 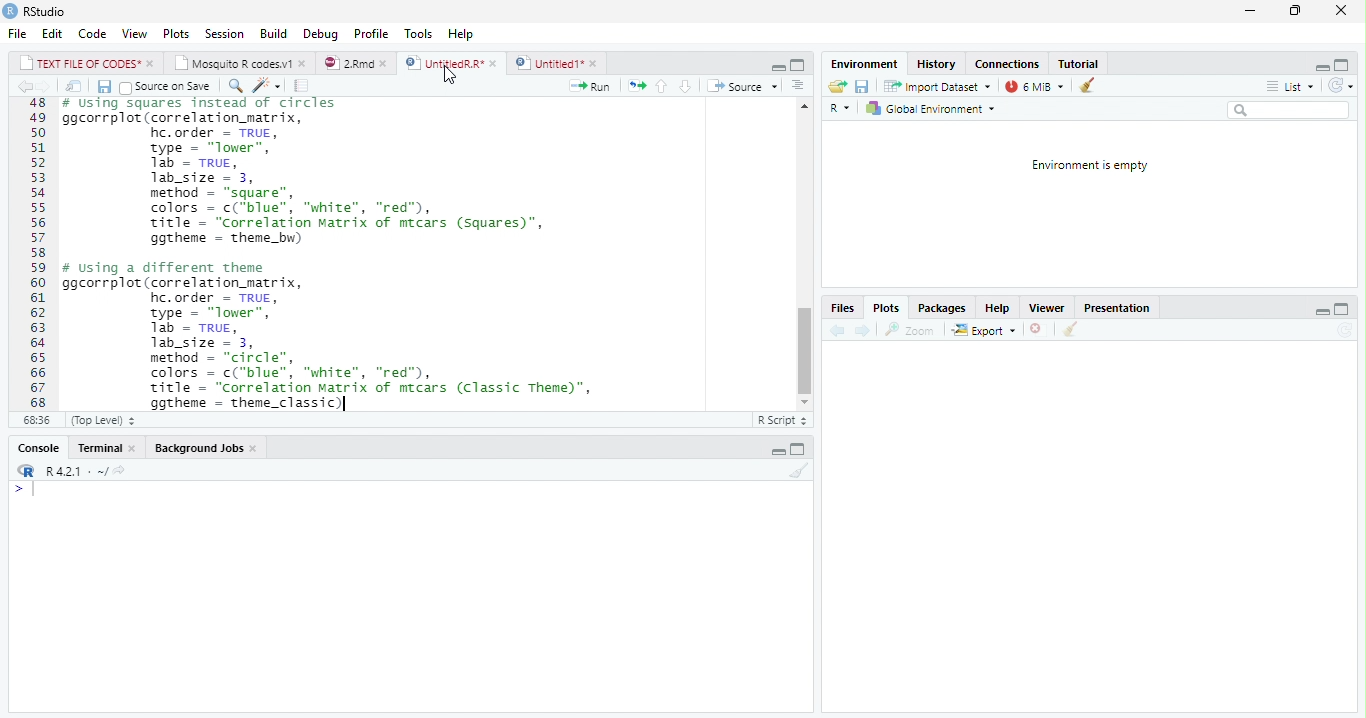 I want to click on clear console, so click(x=800, y=471).